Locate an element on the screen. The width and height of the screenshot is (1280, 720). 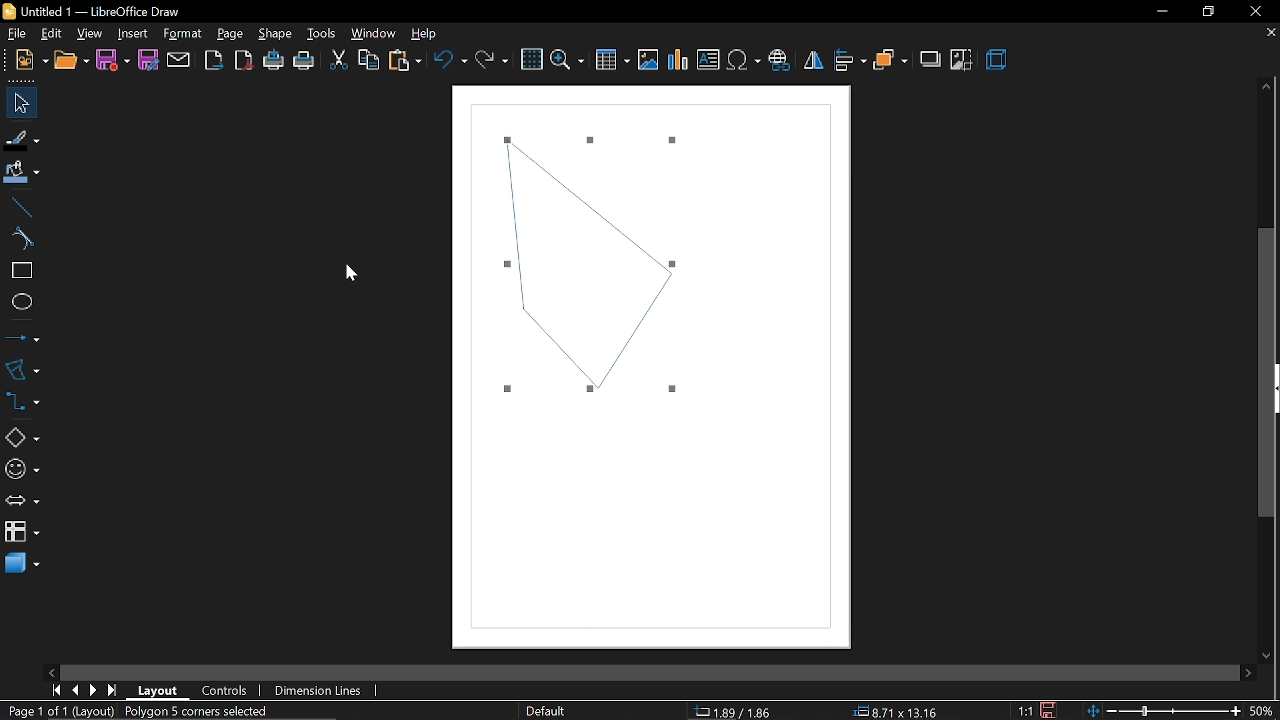
redo is located at coordinates (491, 58).